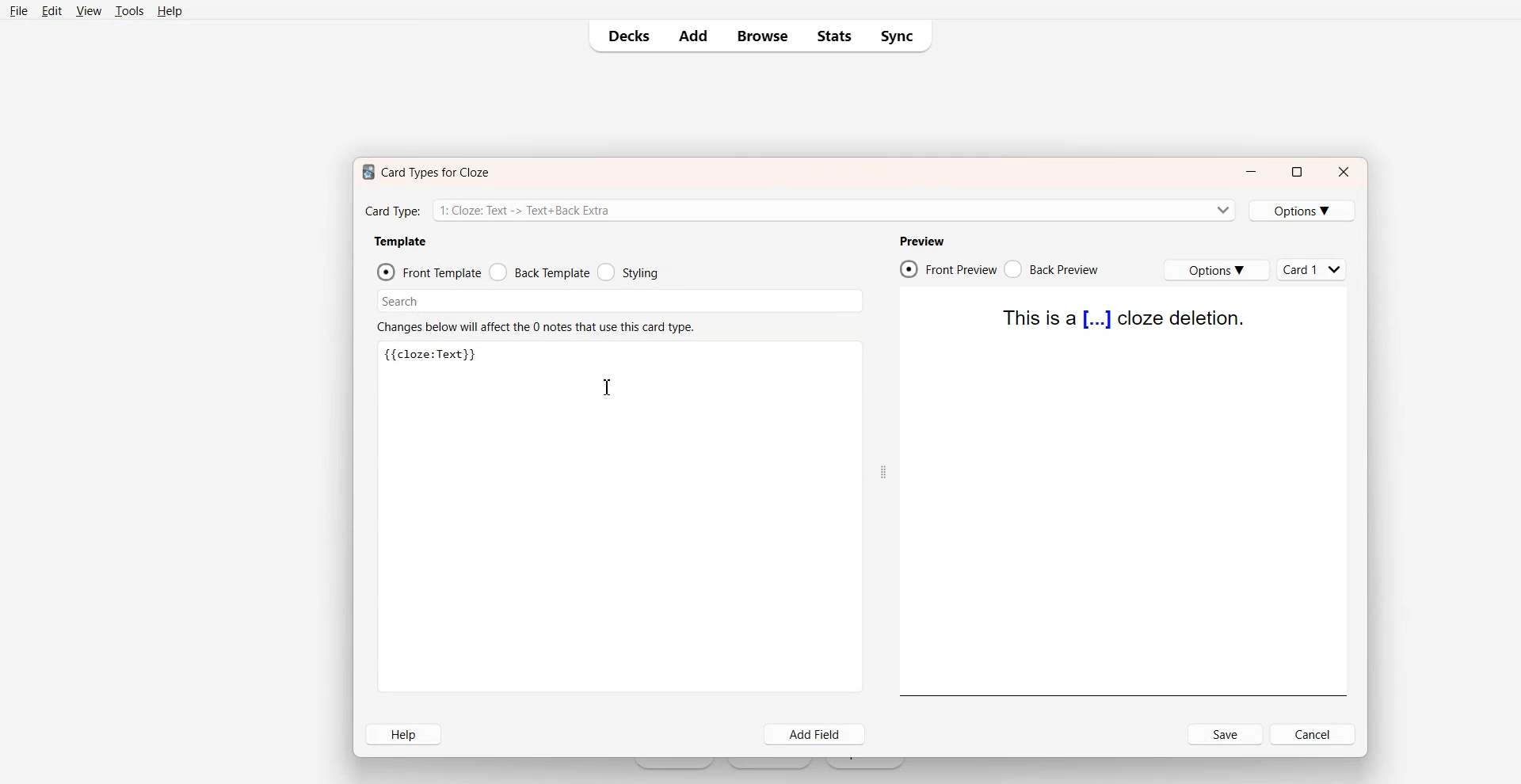 Image resolution: width=1521 pixels, height=784 pixels. What do you see at coordinates (1296, 172) in the screenshot?
I see `Maximize` at bounding box center [1296, 172].